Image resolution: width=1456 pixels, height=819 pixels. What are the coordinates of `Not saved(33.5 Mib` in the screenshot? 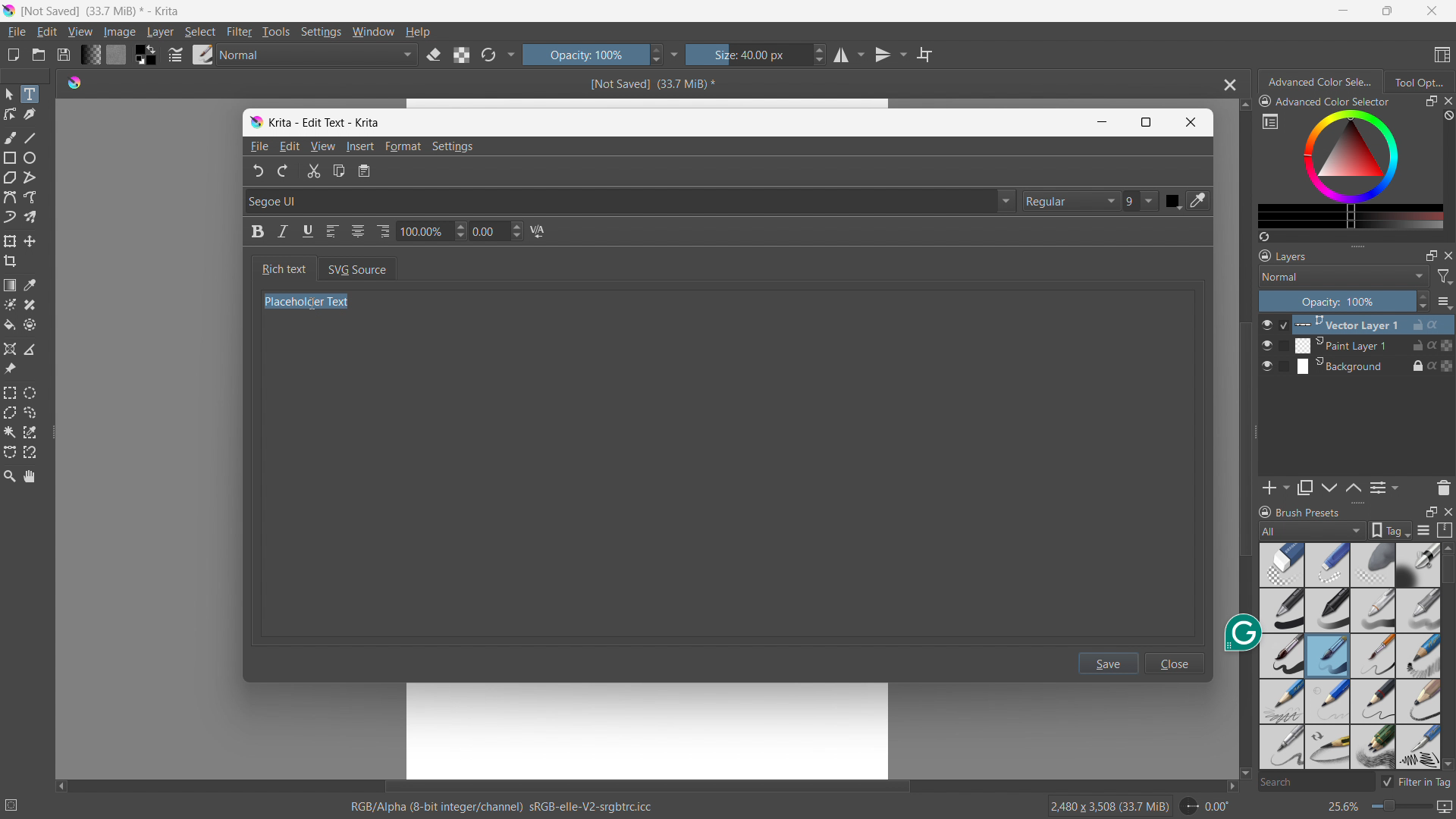 It's located at (648, 83).